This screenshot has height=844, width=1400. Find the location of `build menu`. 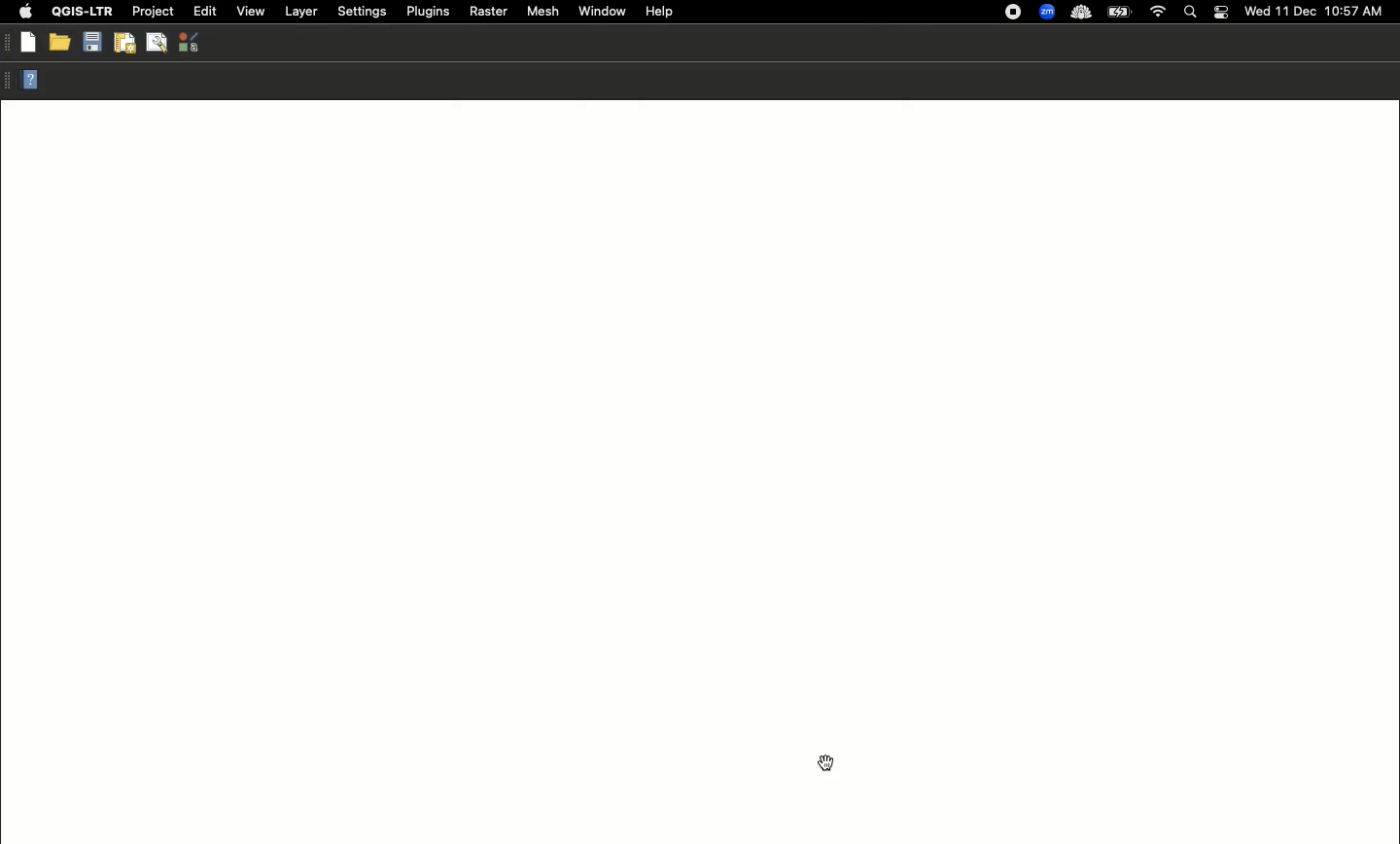

build menu is located at coordinates (159, 42).